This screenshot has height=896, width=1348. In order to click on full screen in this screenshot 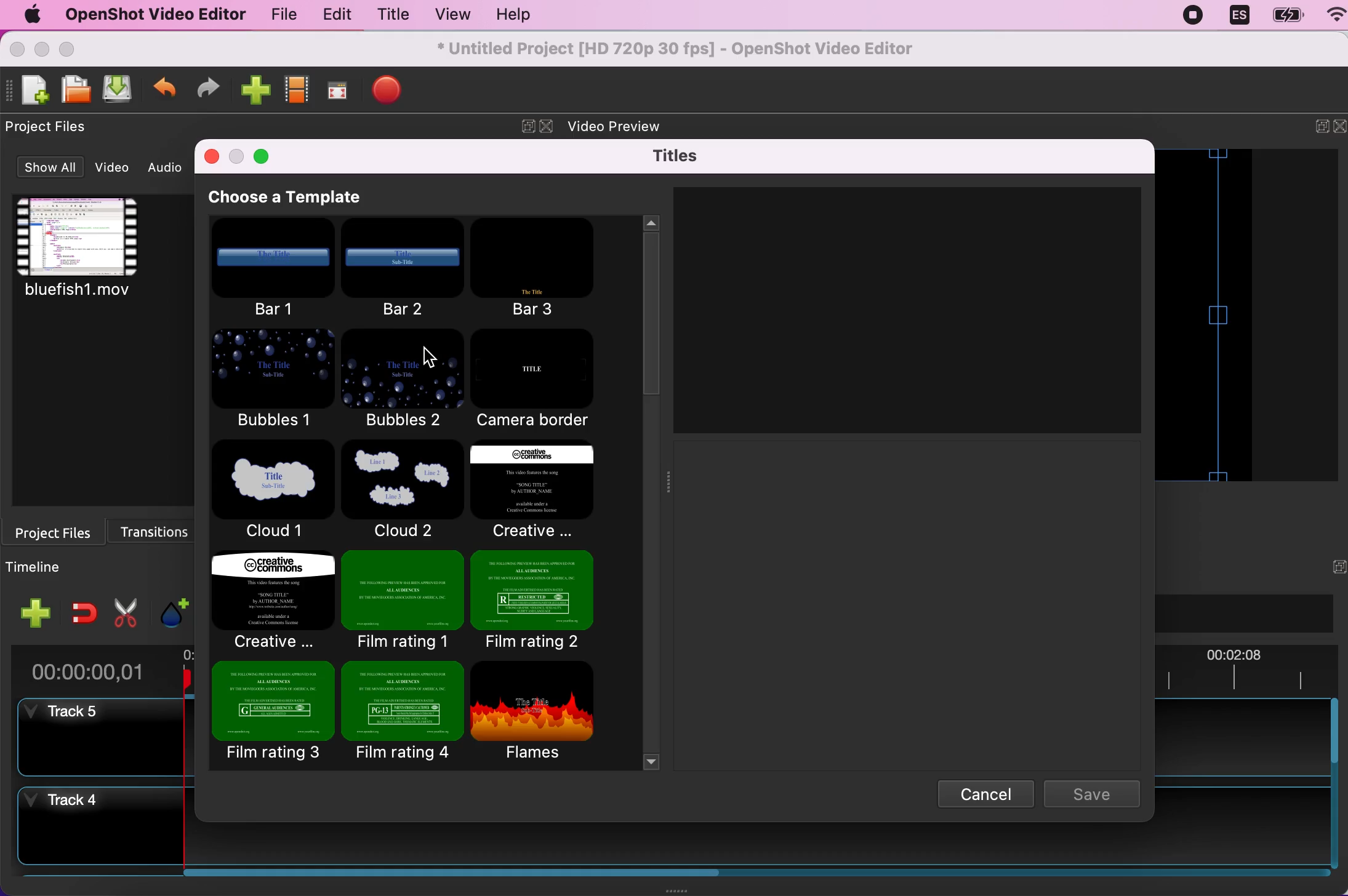, I will do `click(336, 94)`.